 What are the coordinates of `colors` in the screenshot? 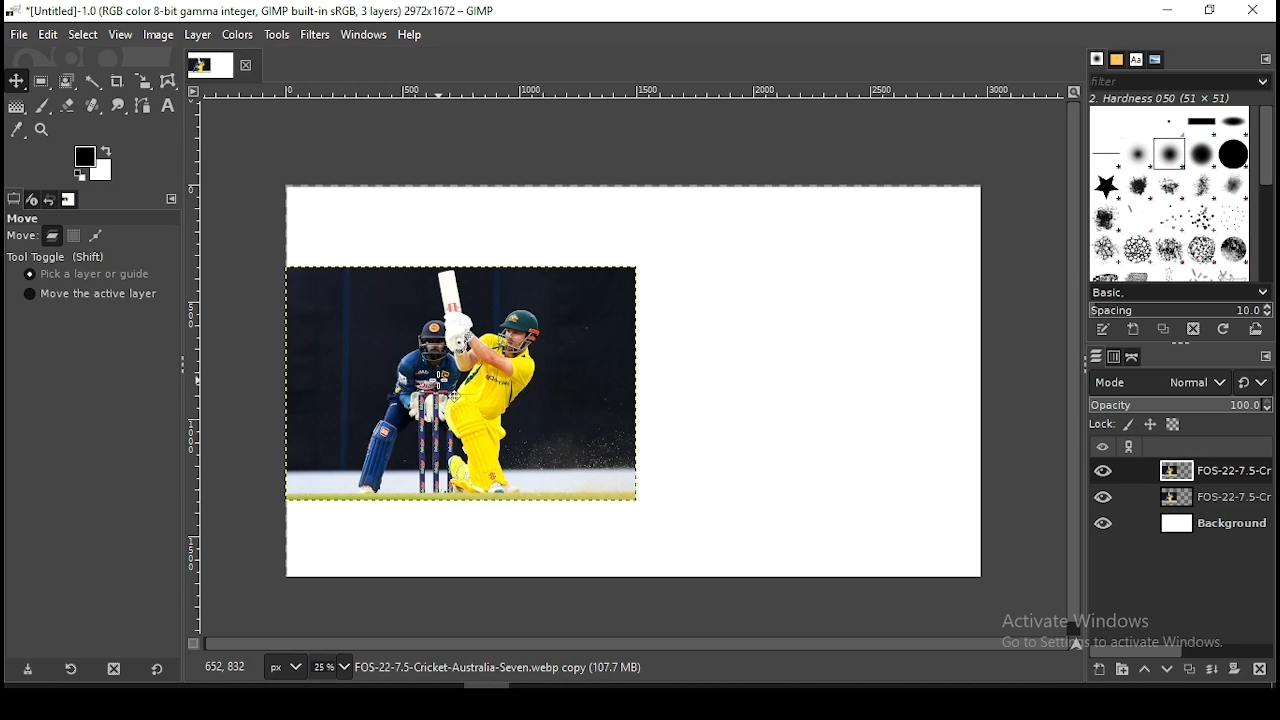 It's located at (240, 36).